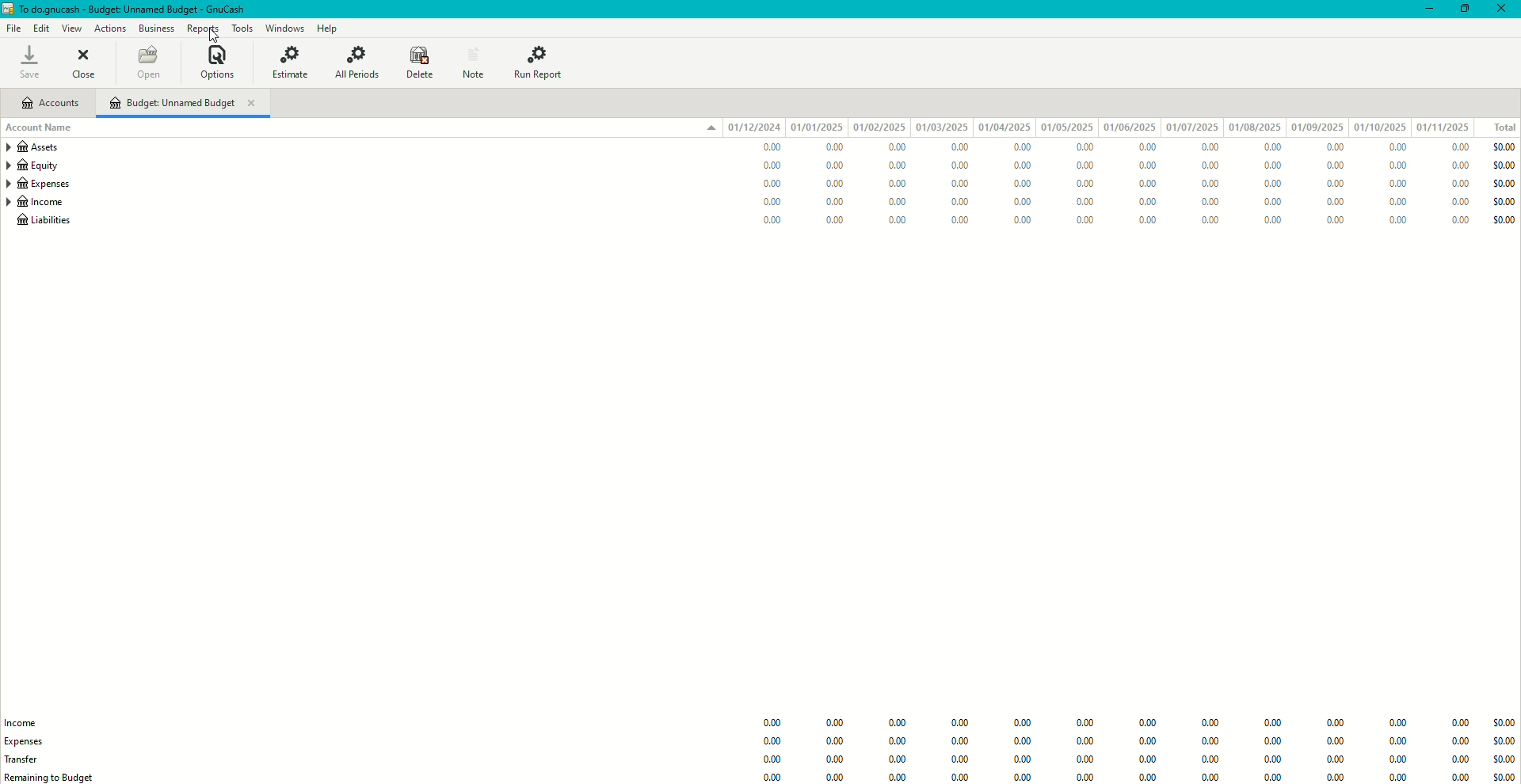 This screenshot has height=784, width=1521. I want to click on 0.00, so click(1207, 187).